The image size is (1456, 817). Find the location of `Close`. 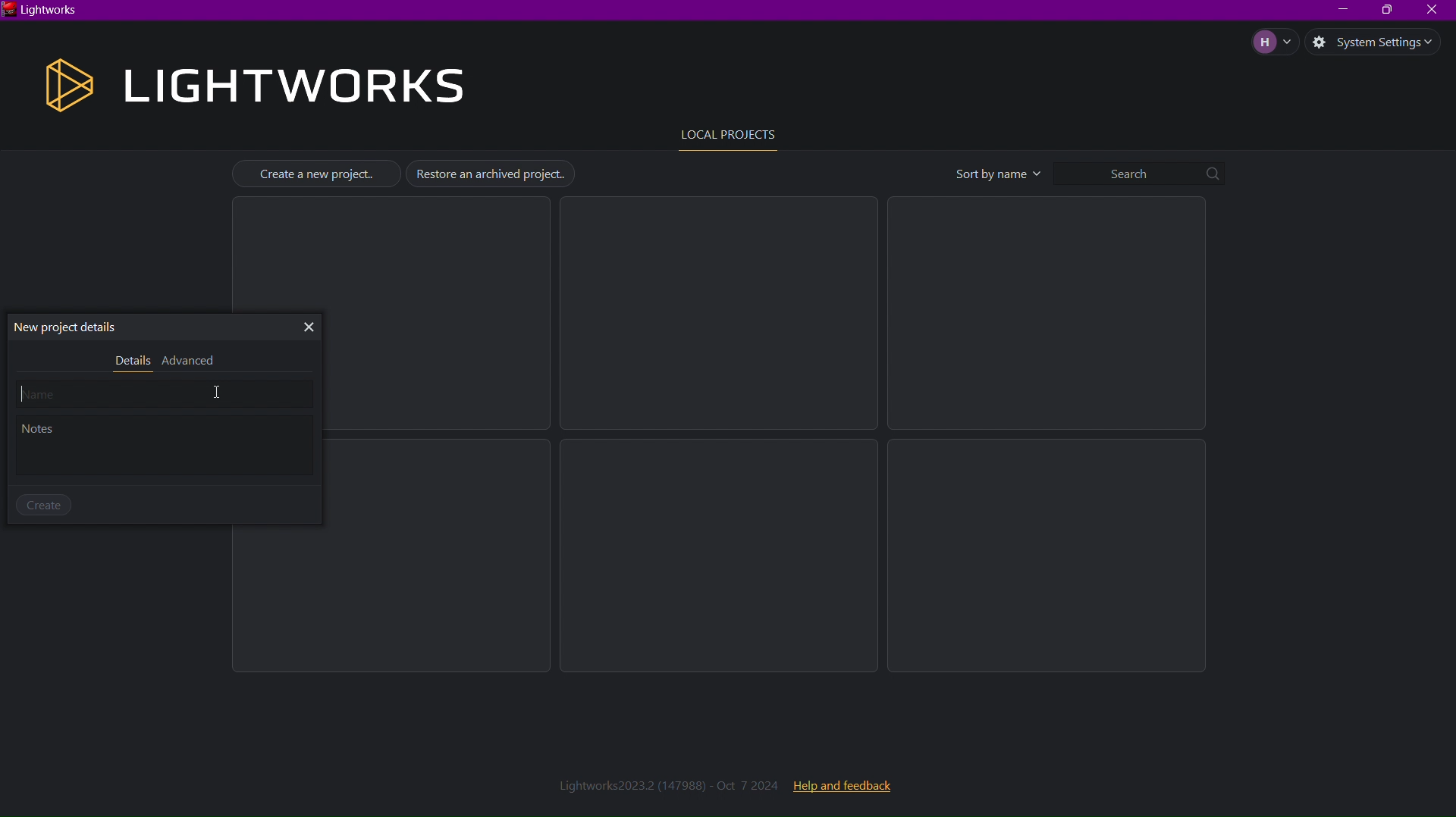

Close is located at coordinates (307, 328).